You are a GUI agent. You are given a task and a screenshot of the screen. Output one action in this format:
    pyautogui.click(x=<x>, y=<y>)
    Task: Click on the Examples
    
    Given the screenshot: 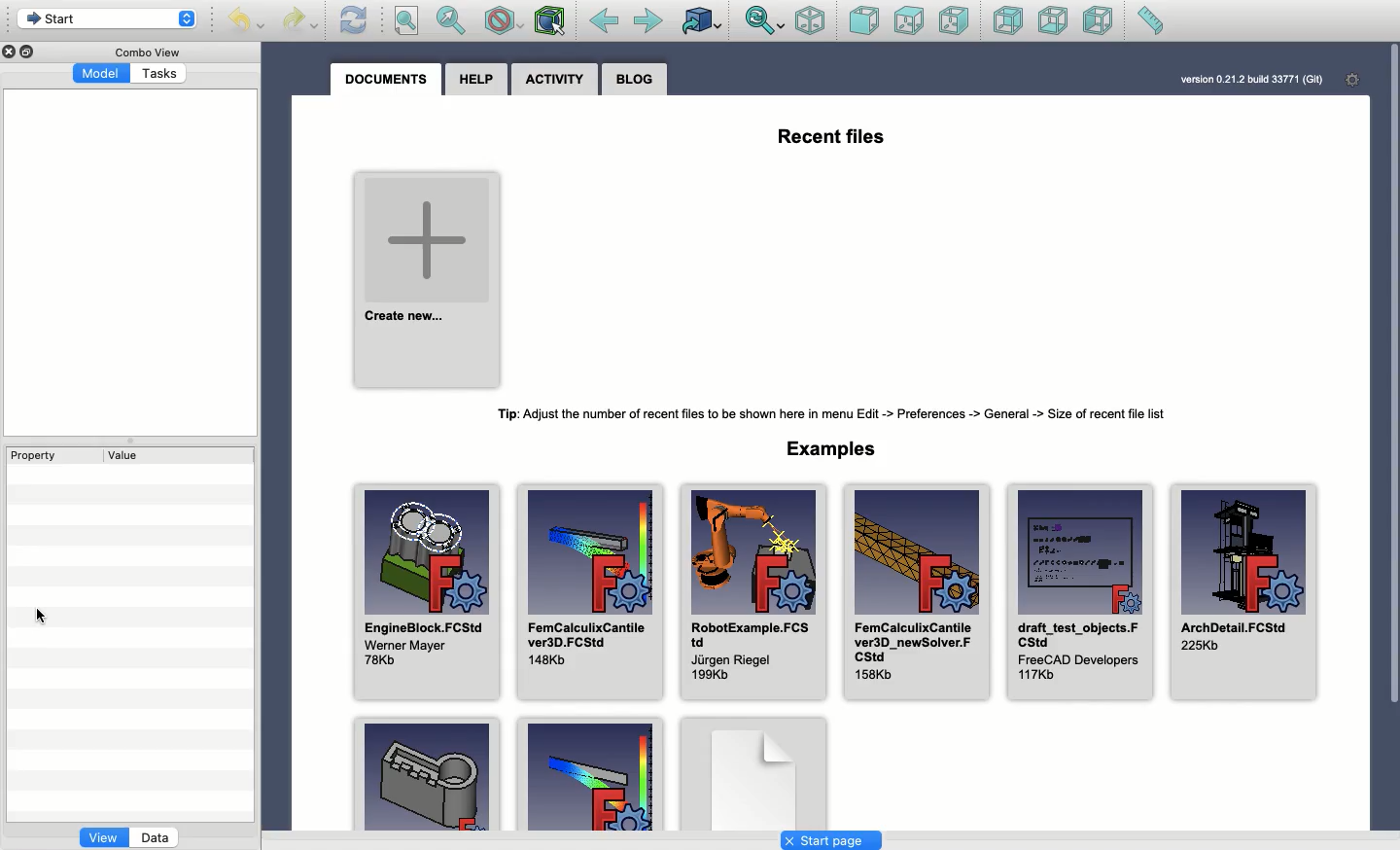 What is the action you would take?
    pyautogui.click(x=832, y=449)
    